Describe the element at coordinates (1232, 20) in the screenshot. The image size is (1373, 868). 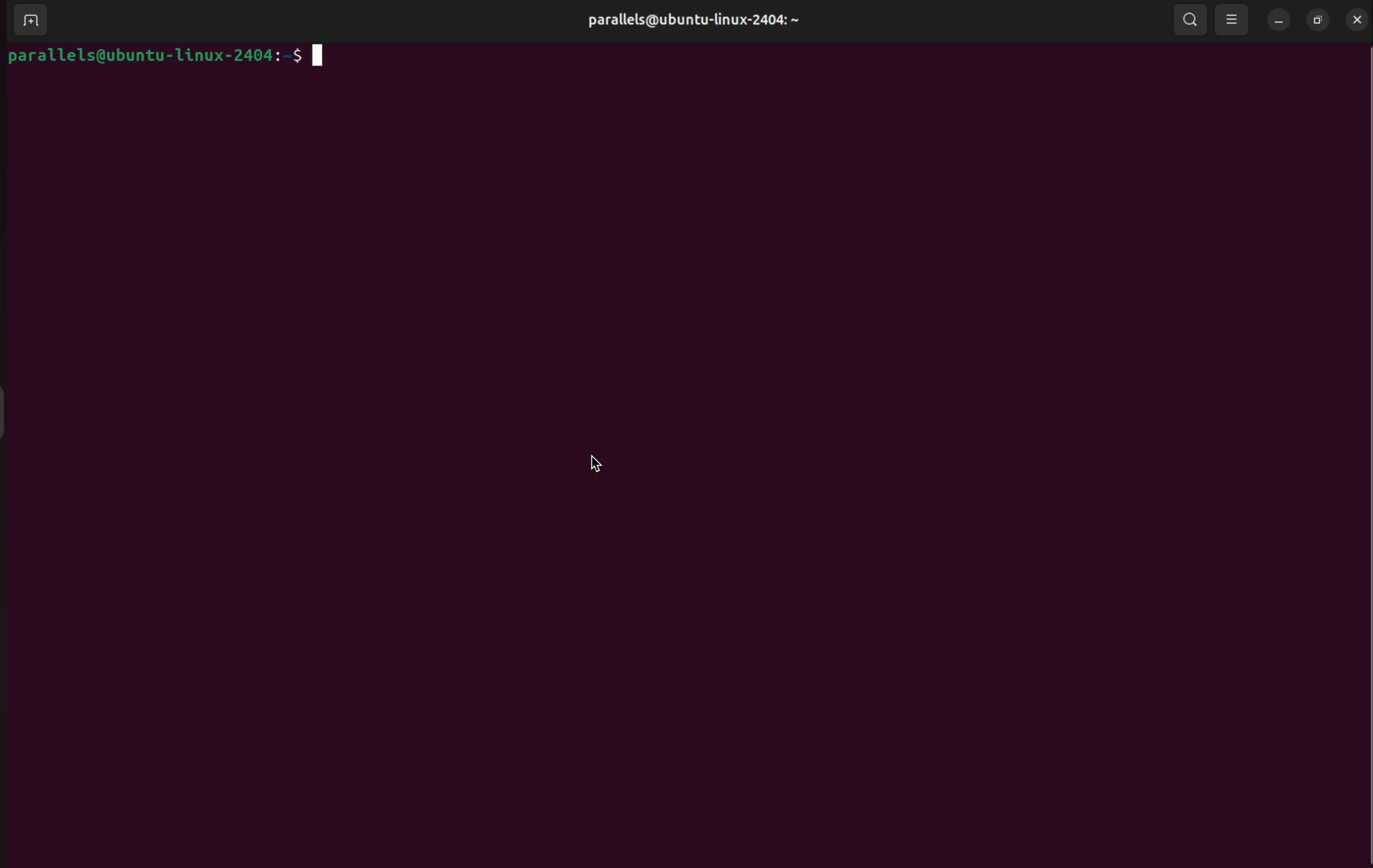
I see `view options` at that location.